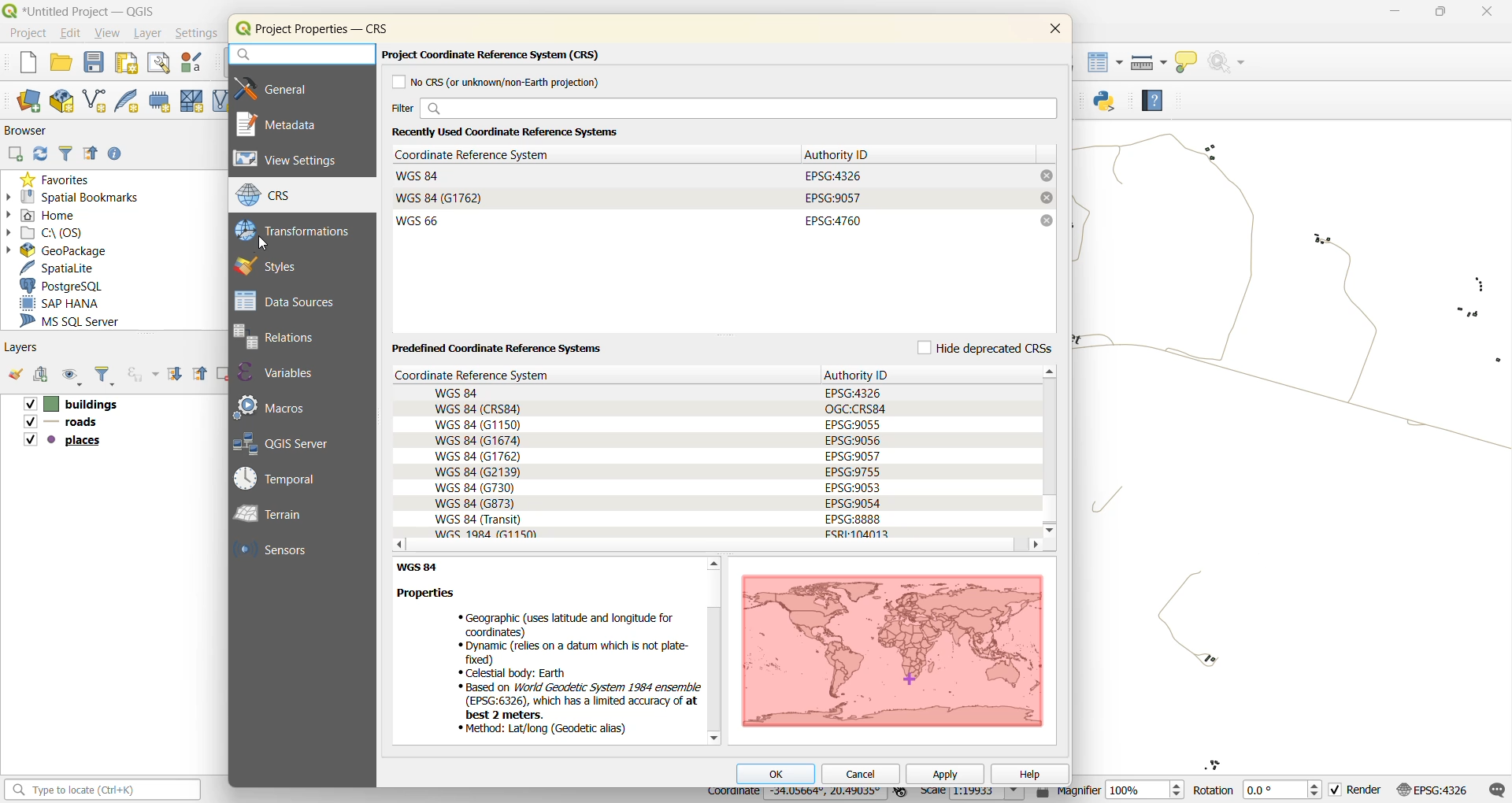 The image size is (1512, 803). Describe the element at coordinates (854, 471) in the screenshot. I see `EPSG:9755` at that location.